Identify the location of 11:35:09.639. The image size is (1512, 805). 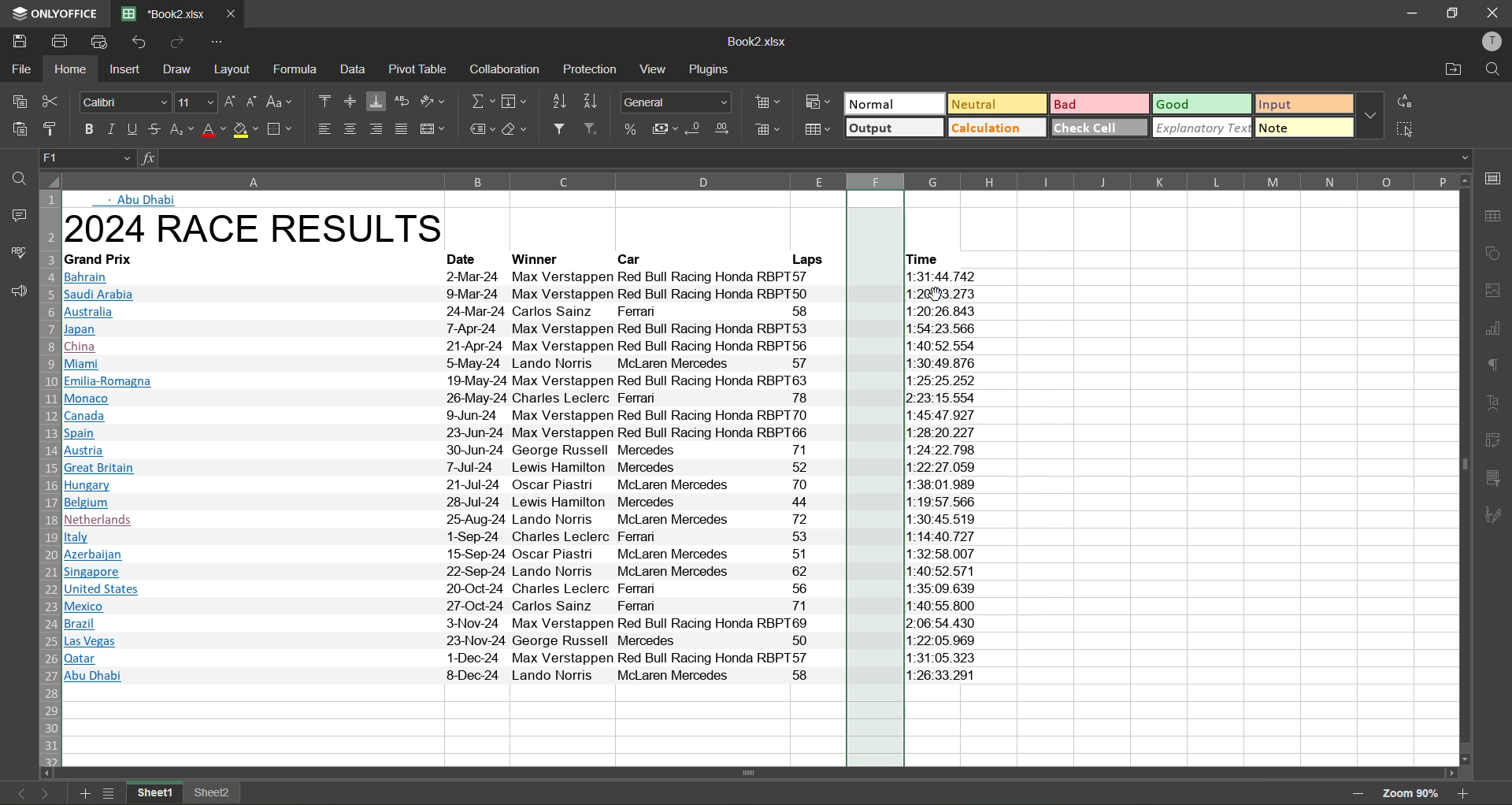
(944, 588).